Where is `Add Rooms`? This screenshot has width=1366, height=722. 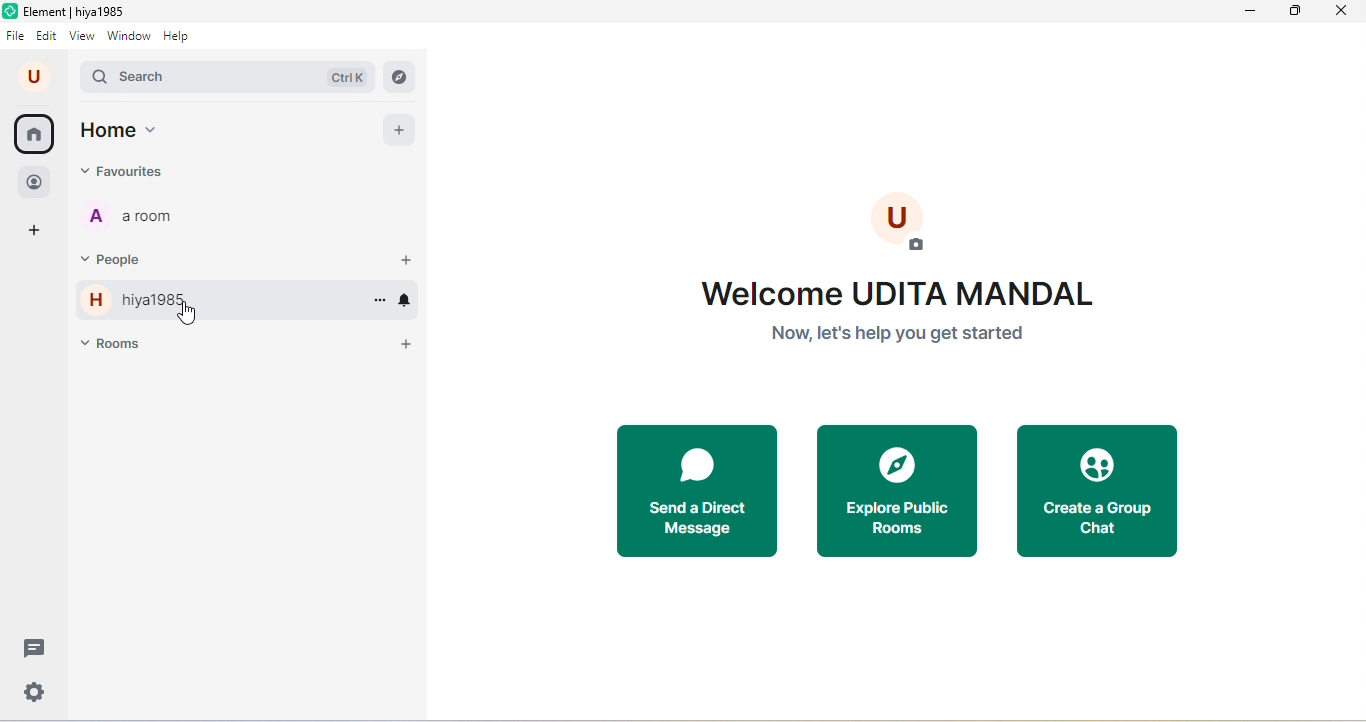
Add Rooms is located at coordinates (409, 349).